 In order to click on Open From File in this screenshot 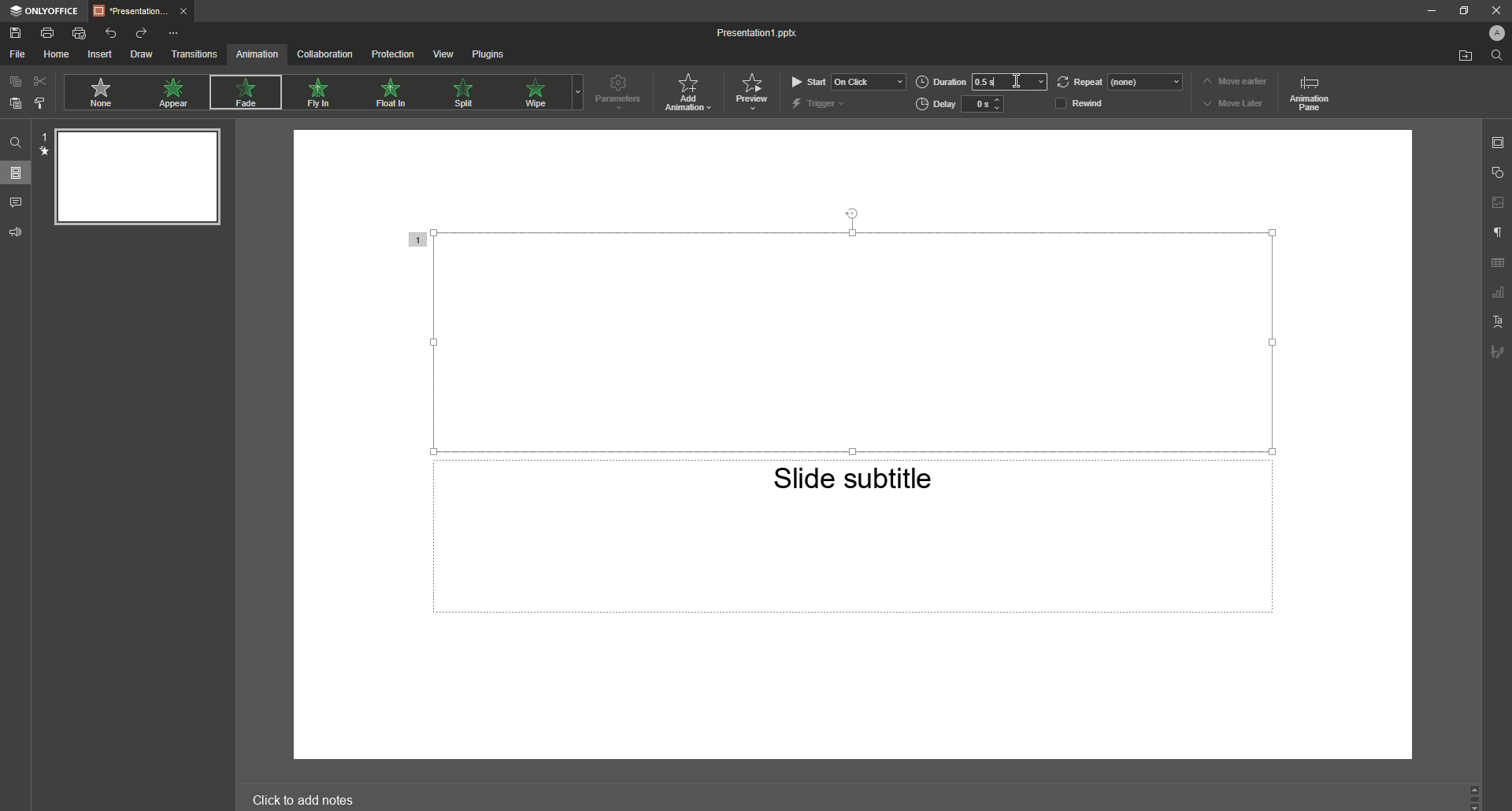, I will do `click(1463, 55)`.